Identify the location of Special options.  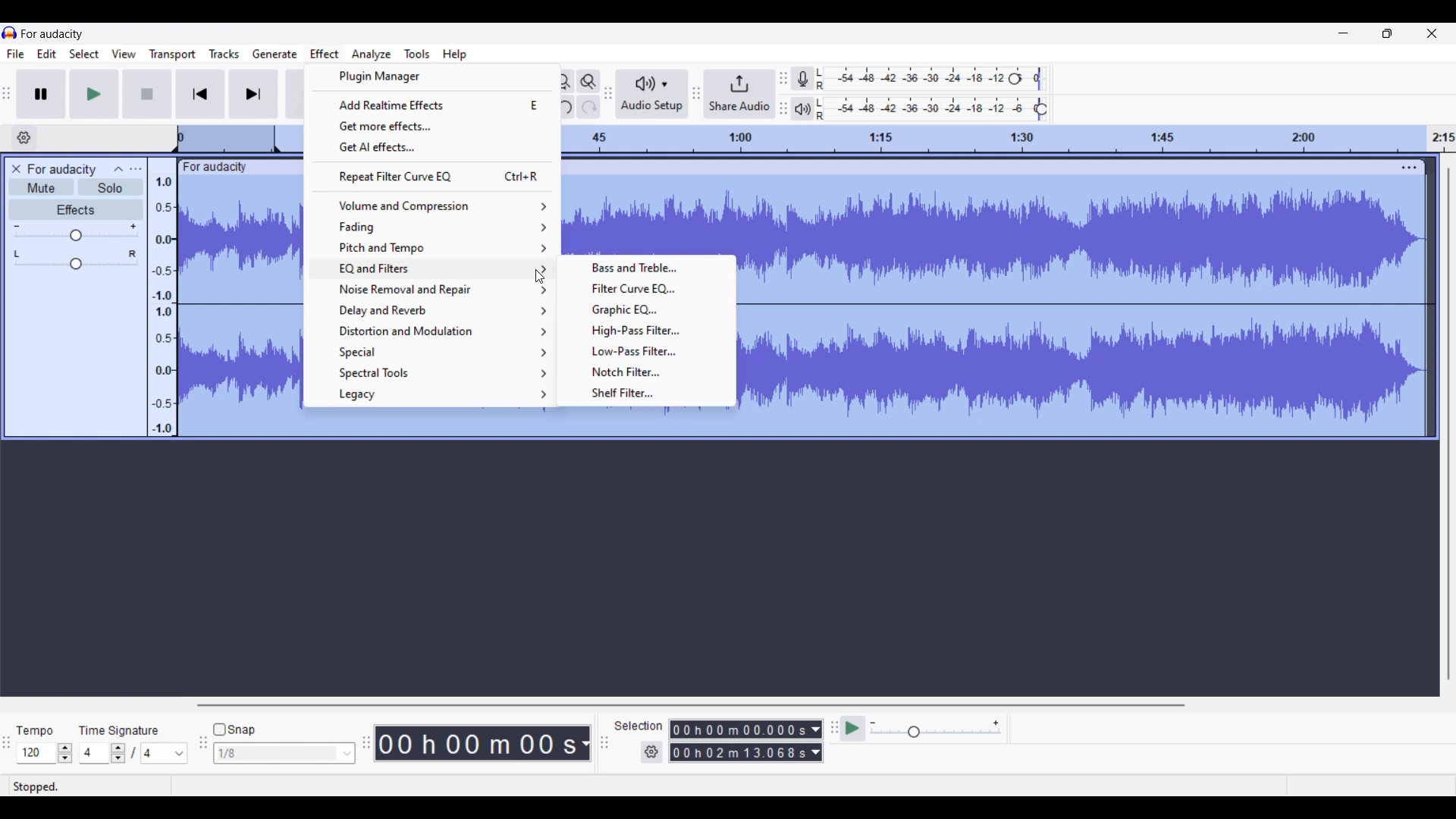
(433, 353).